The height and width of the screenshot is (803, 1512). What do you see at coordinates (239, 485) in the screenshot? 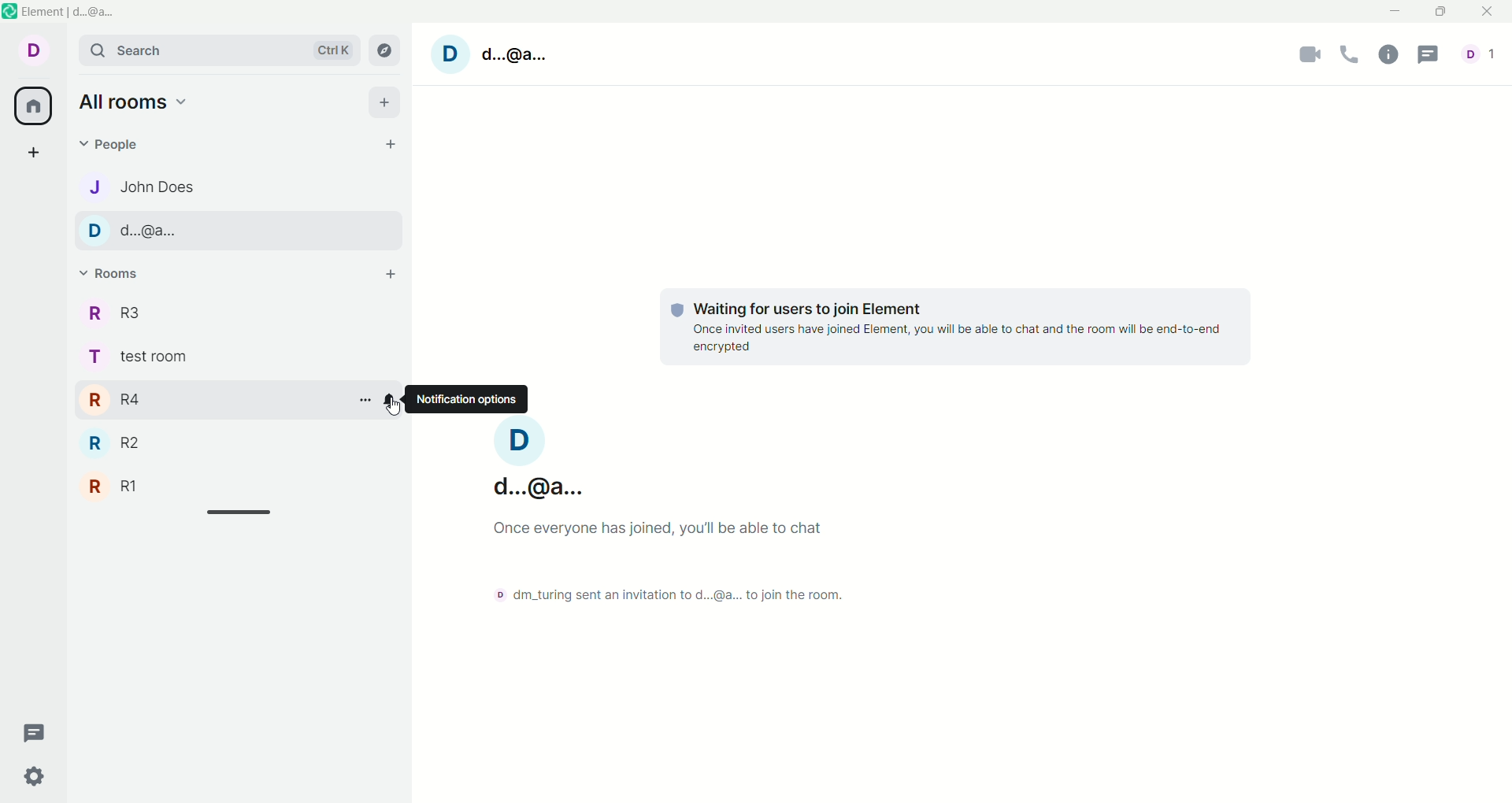
I see `R1 room` at bounding box center [239, 485].